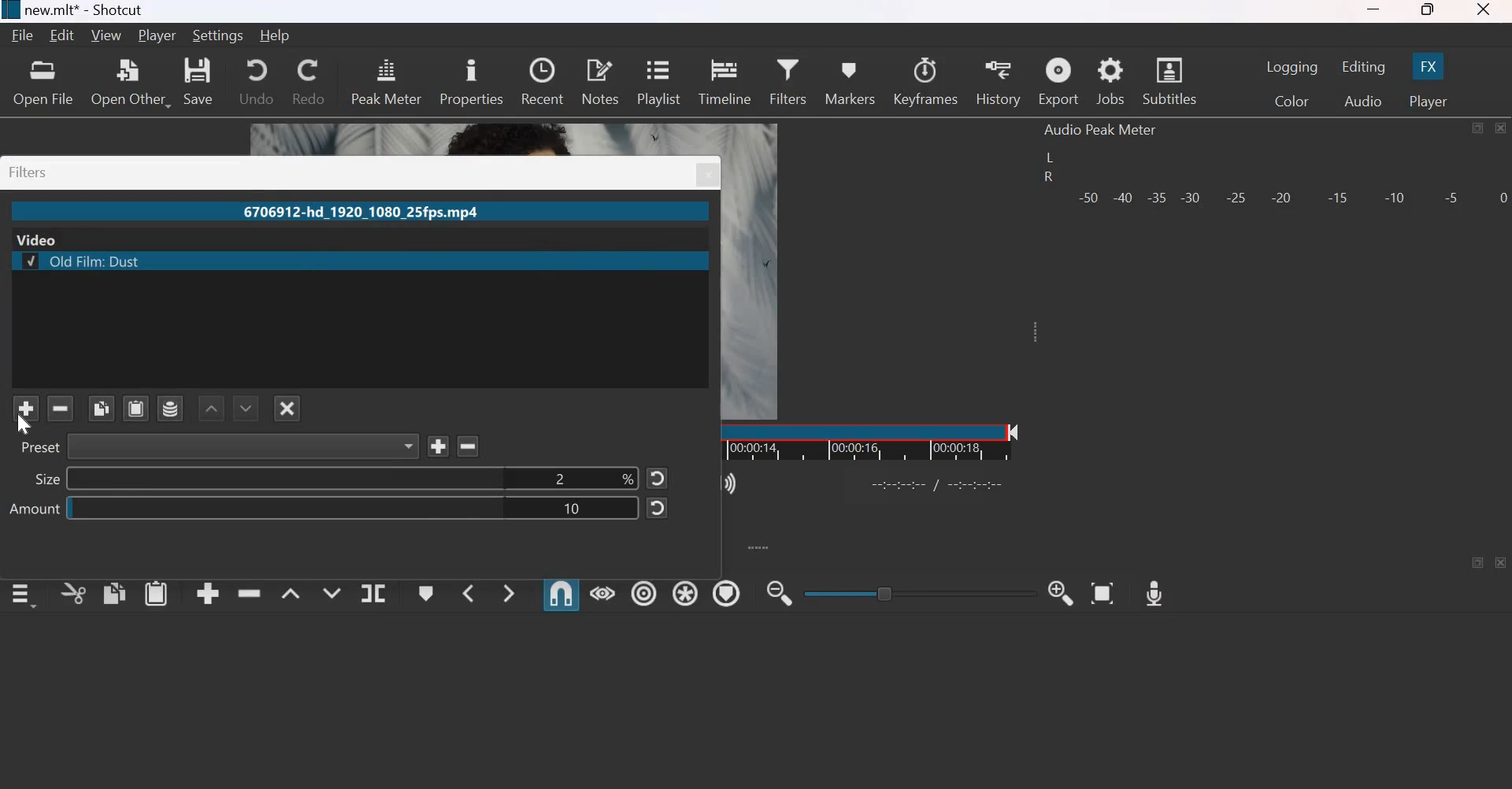 This screenshot has width=1512, height=789. What do you see at coordinates (1364, 100) in the screenshot?
I see `Audio` at bounding box center [1364, 100].